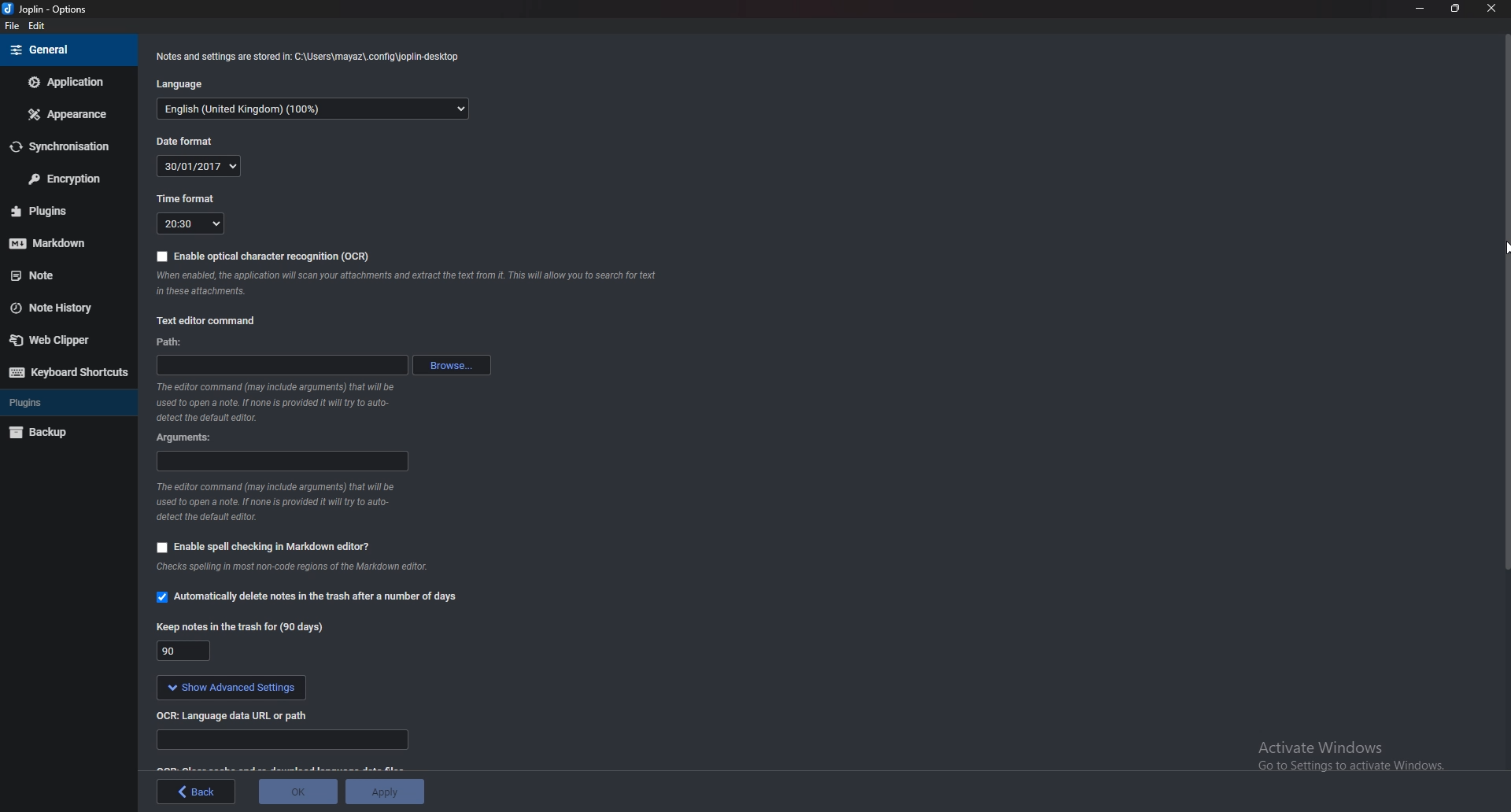  Describe the element at coordinates (199, 165) in the screenshot. I see `30/01/2017` at that location.